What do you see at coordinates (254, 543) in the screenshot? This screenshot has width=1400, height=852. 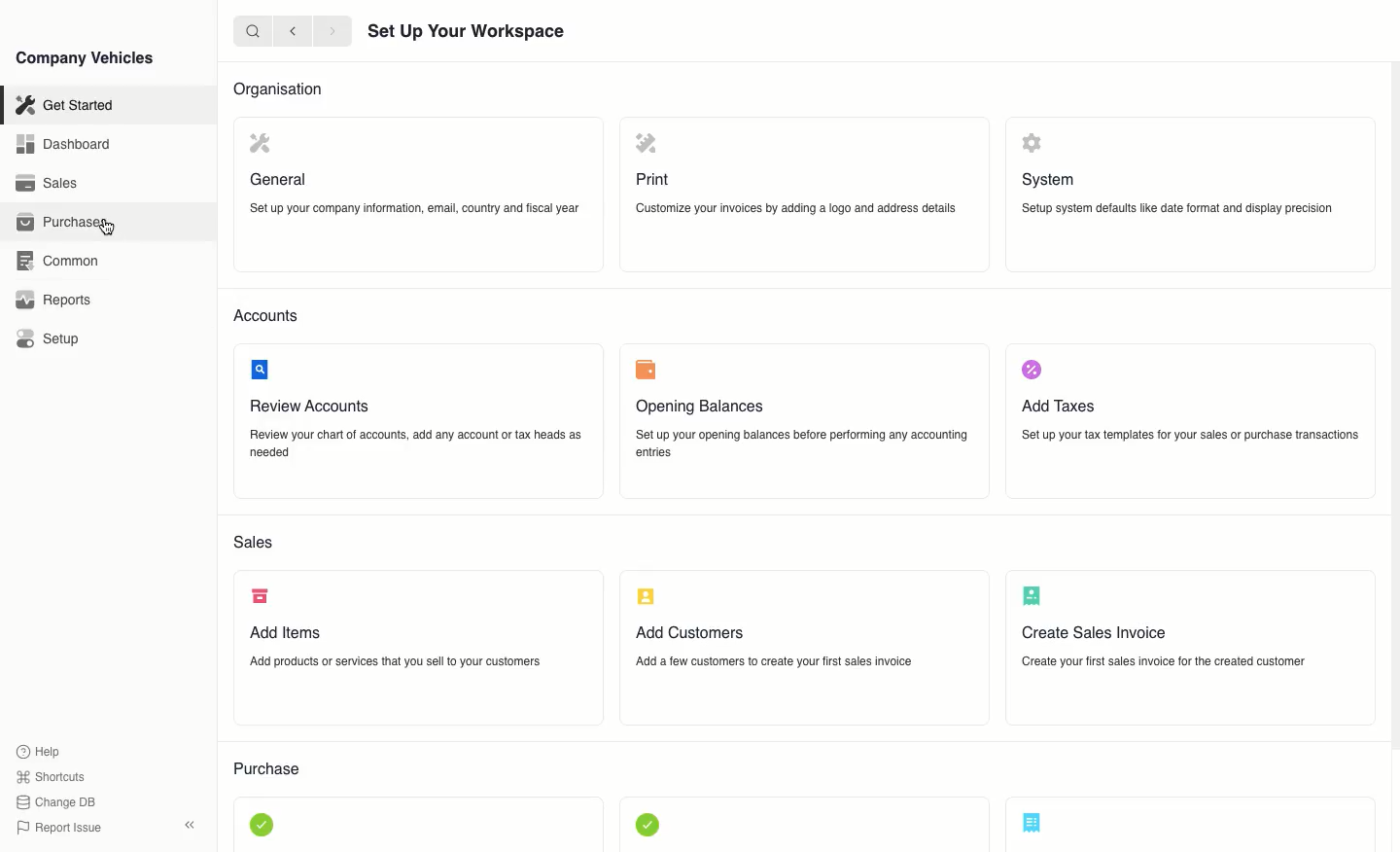 I see `Sales` at bounding box center [254, 543].